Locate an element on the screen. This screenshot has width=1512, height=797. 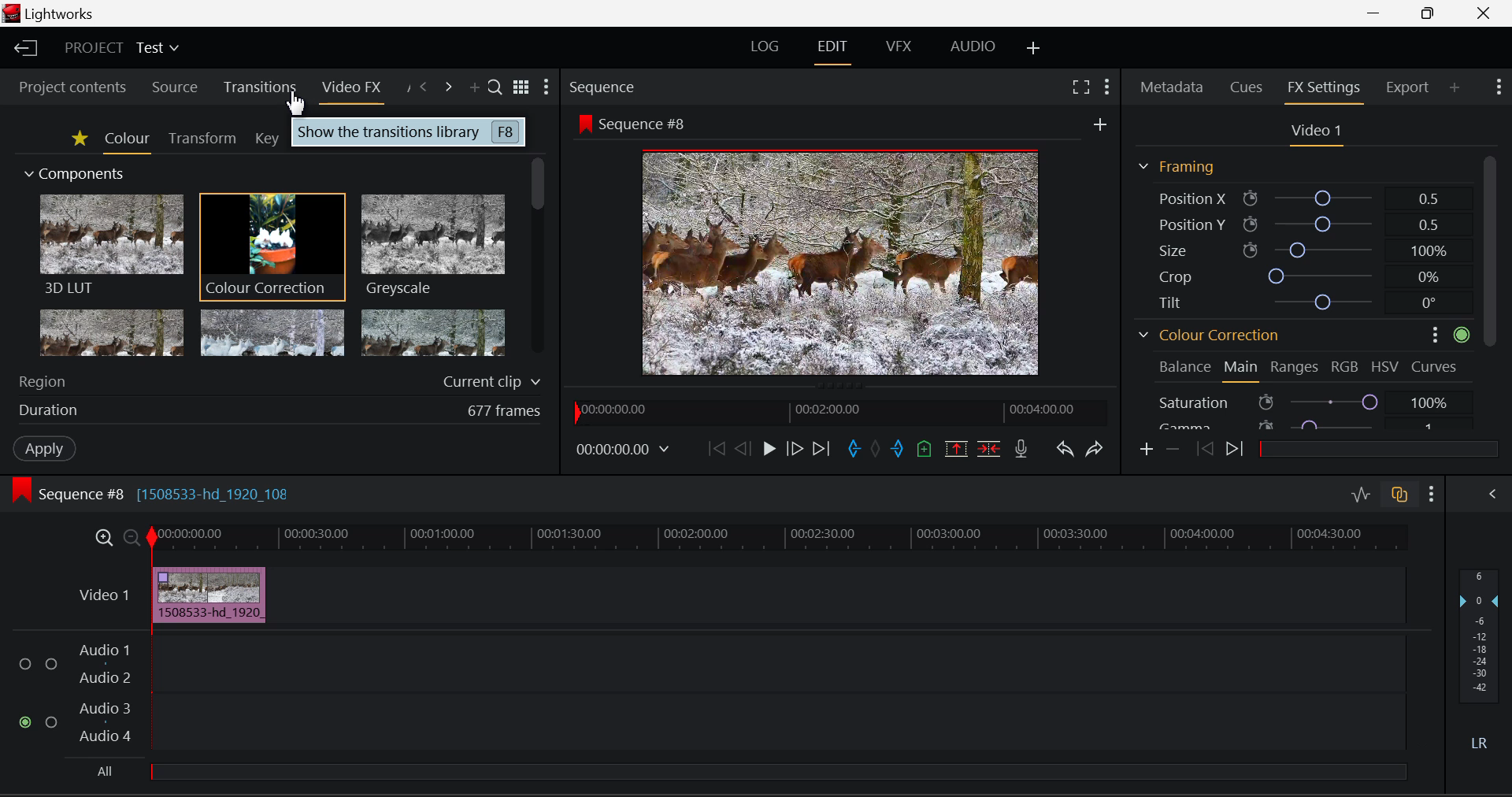
Previous Panel is located at coordinates (424, 86).